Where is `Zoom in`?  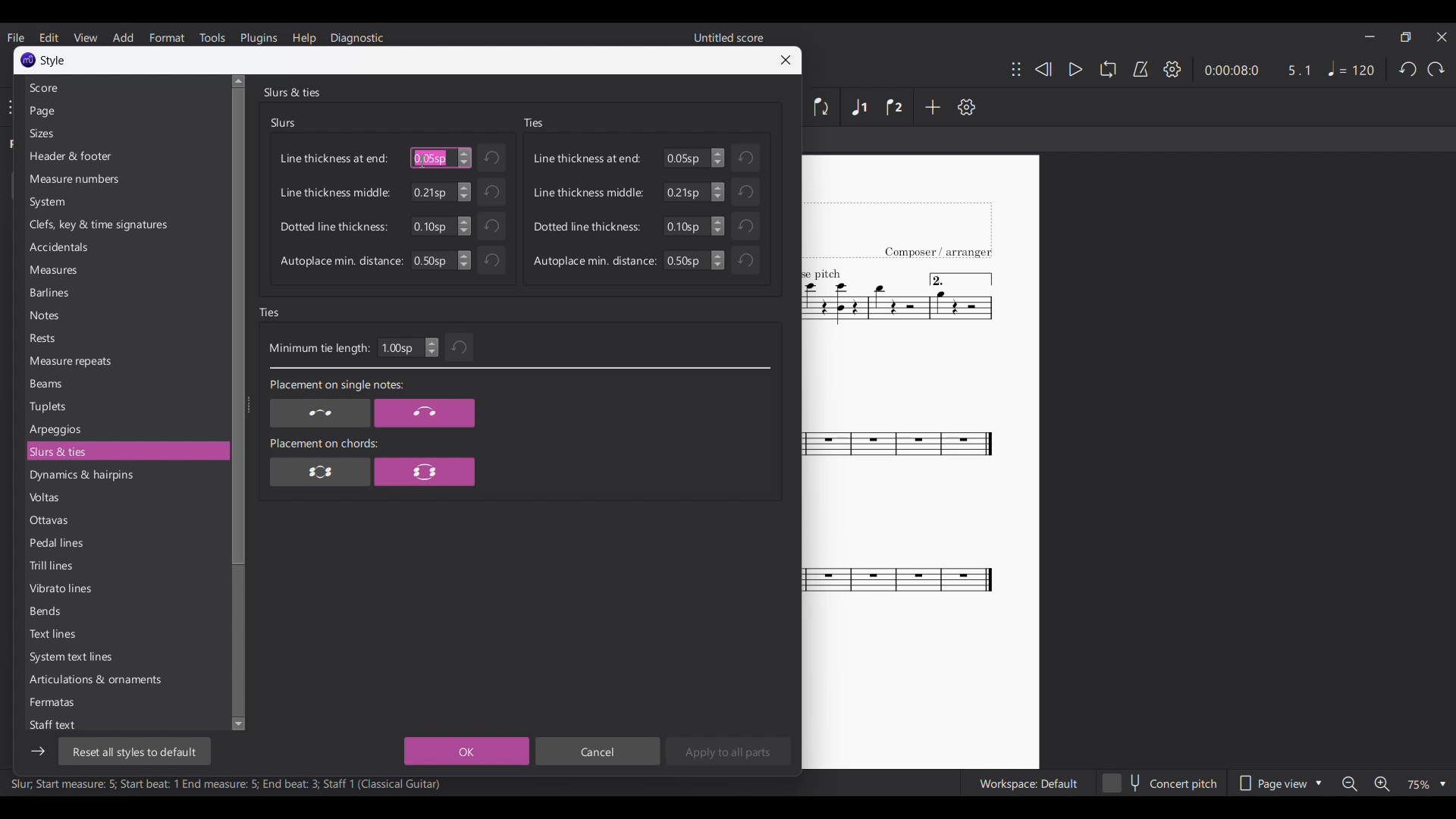
Zoom in is located at coordinates (1380, 783).